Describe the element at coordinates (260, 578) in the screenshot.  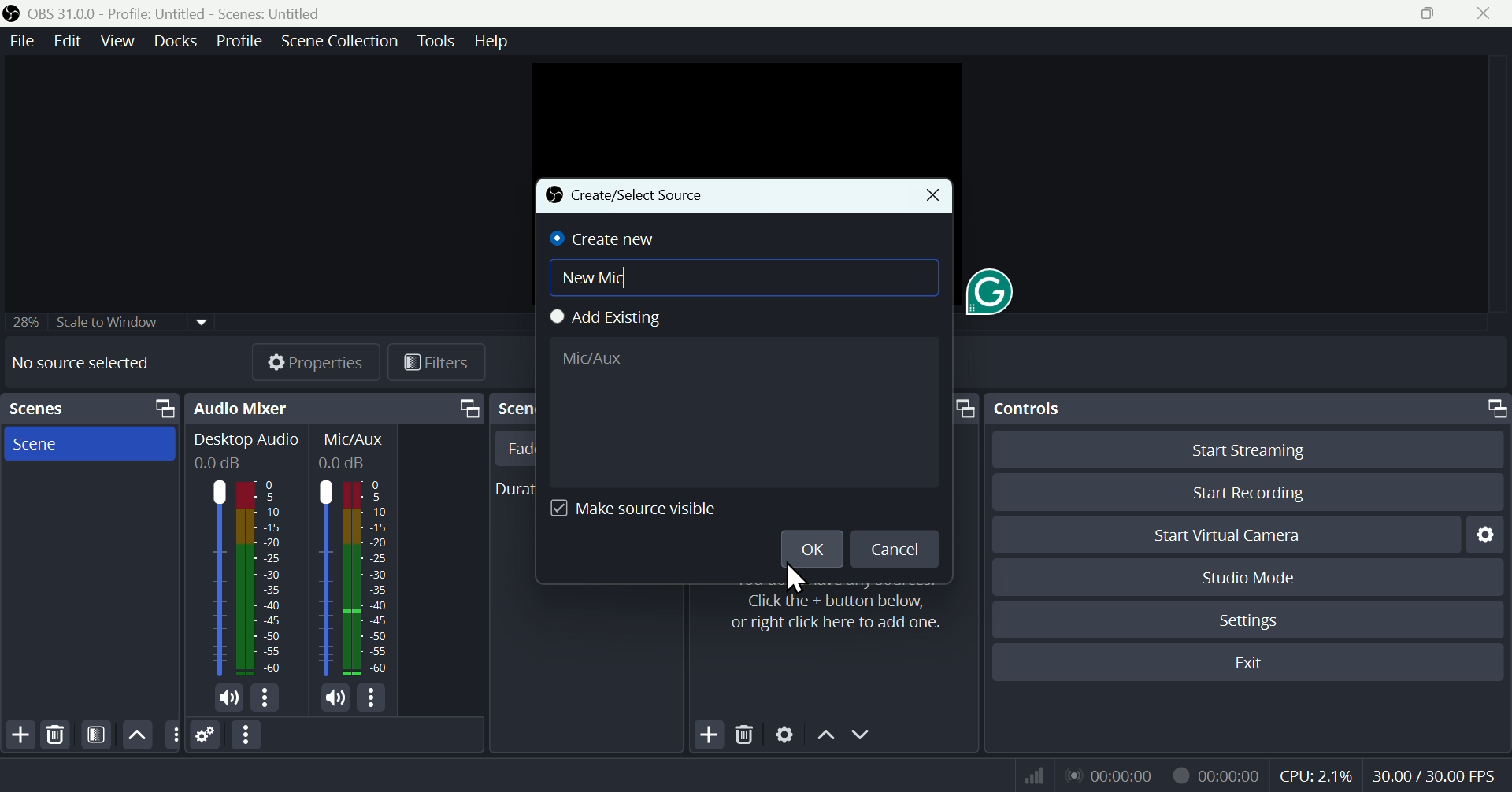
I see `Desktop Audio bar` at that location.